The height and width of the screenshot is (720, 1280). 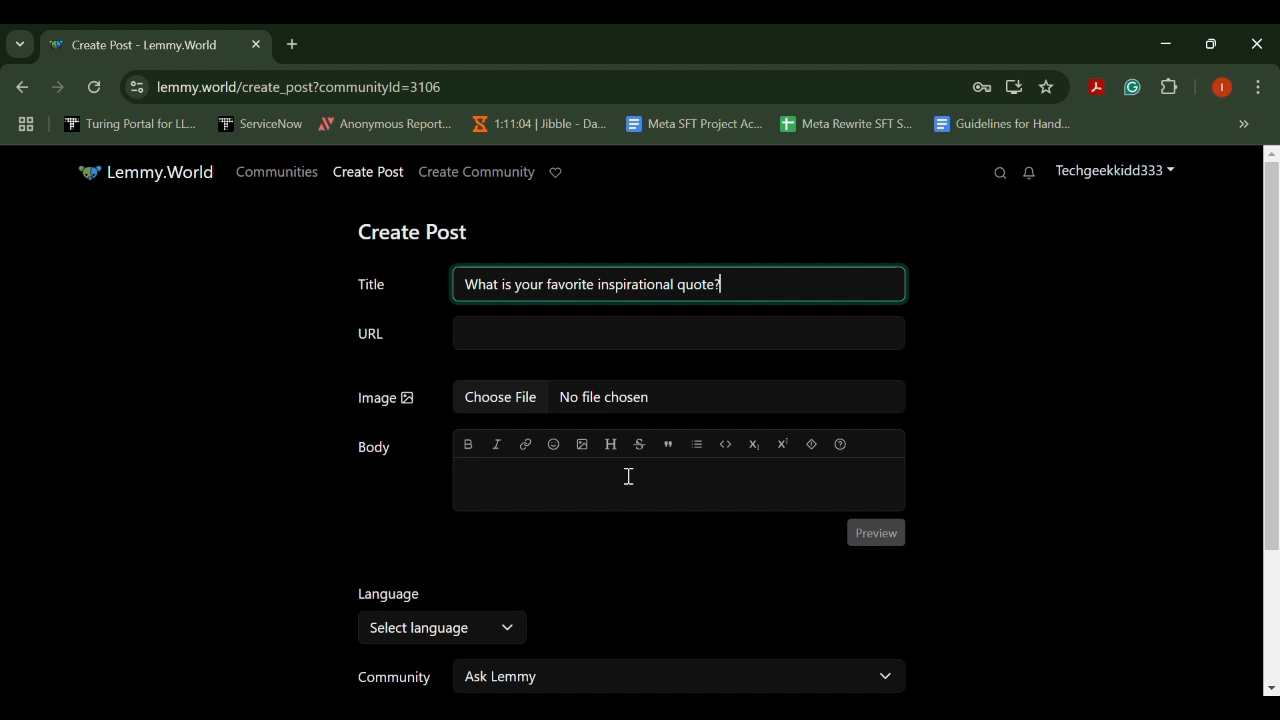 I want to click on 1:11:04 | Jibble - Da..., so click(x=538, y=124).